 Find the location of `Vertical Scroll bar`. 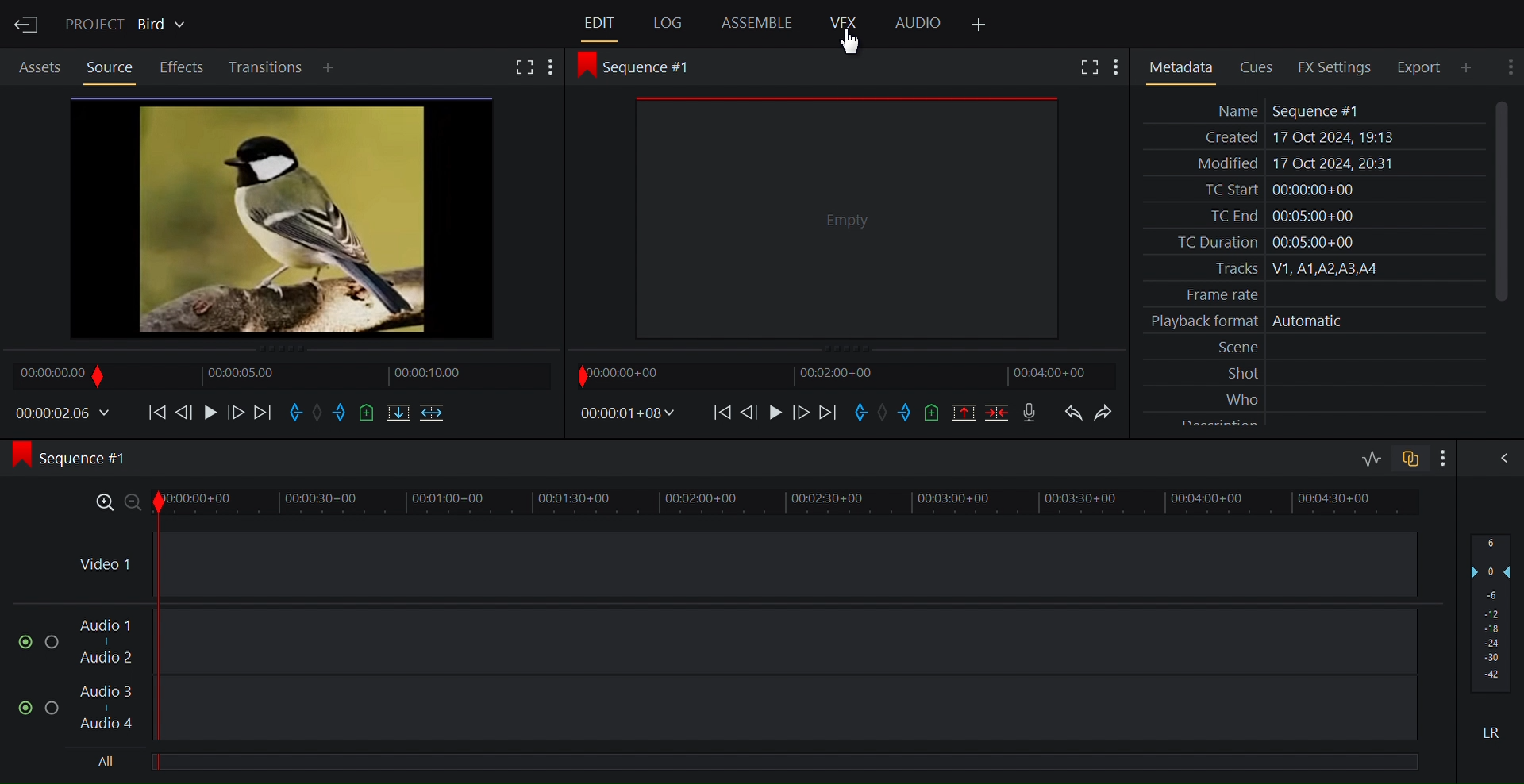

Vertical Scroll bar is located at coordinates (1503, 202).